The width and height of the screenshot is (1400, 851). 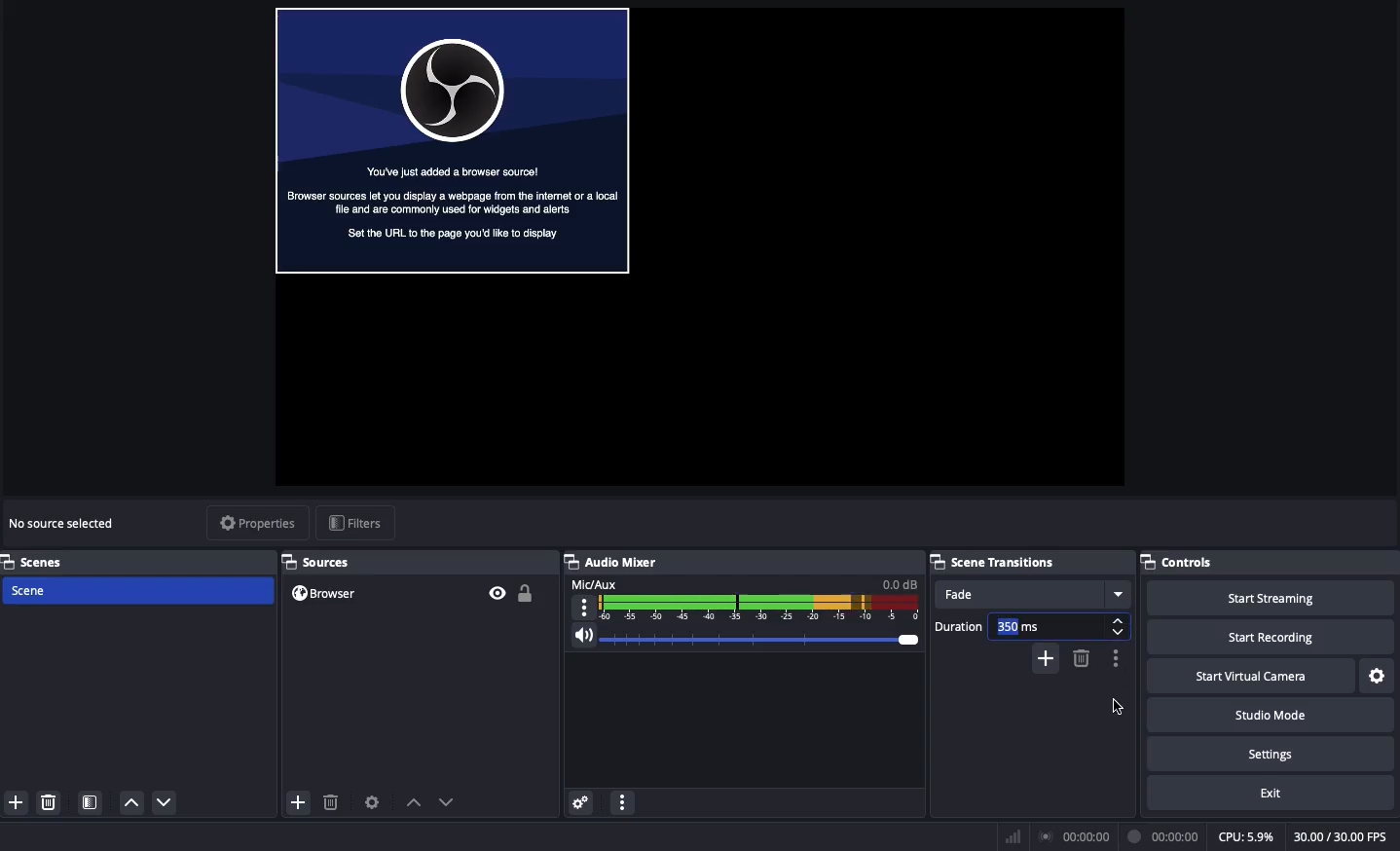 What do you see at coordinates (61, 523) in the screenshot?
I see `No source selected` at bounding box center [61, 523].